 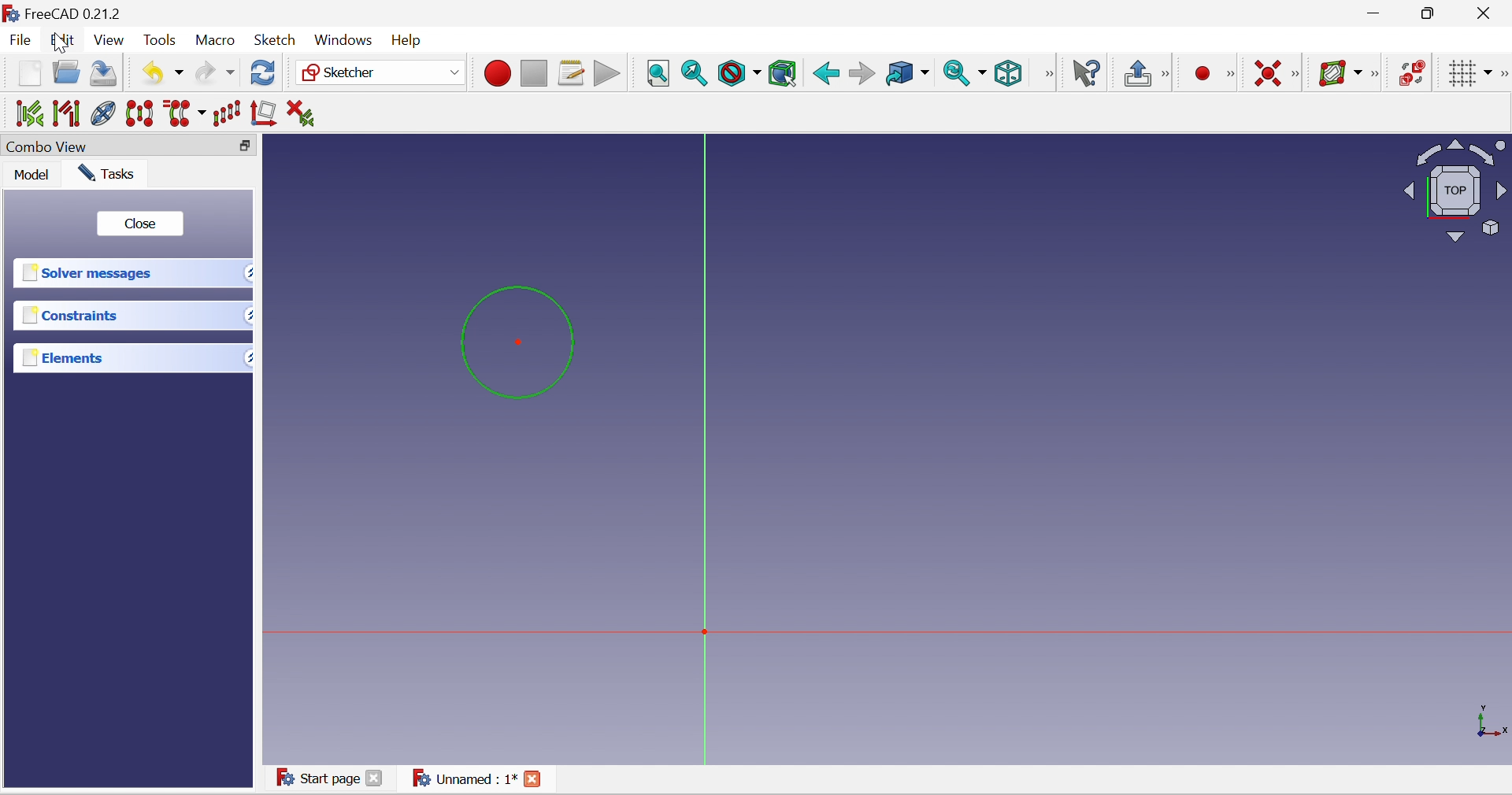 What do you see at coordinates (103, 113) in the screenshot?
I see `Clone` at bounding box center [103, 113].